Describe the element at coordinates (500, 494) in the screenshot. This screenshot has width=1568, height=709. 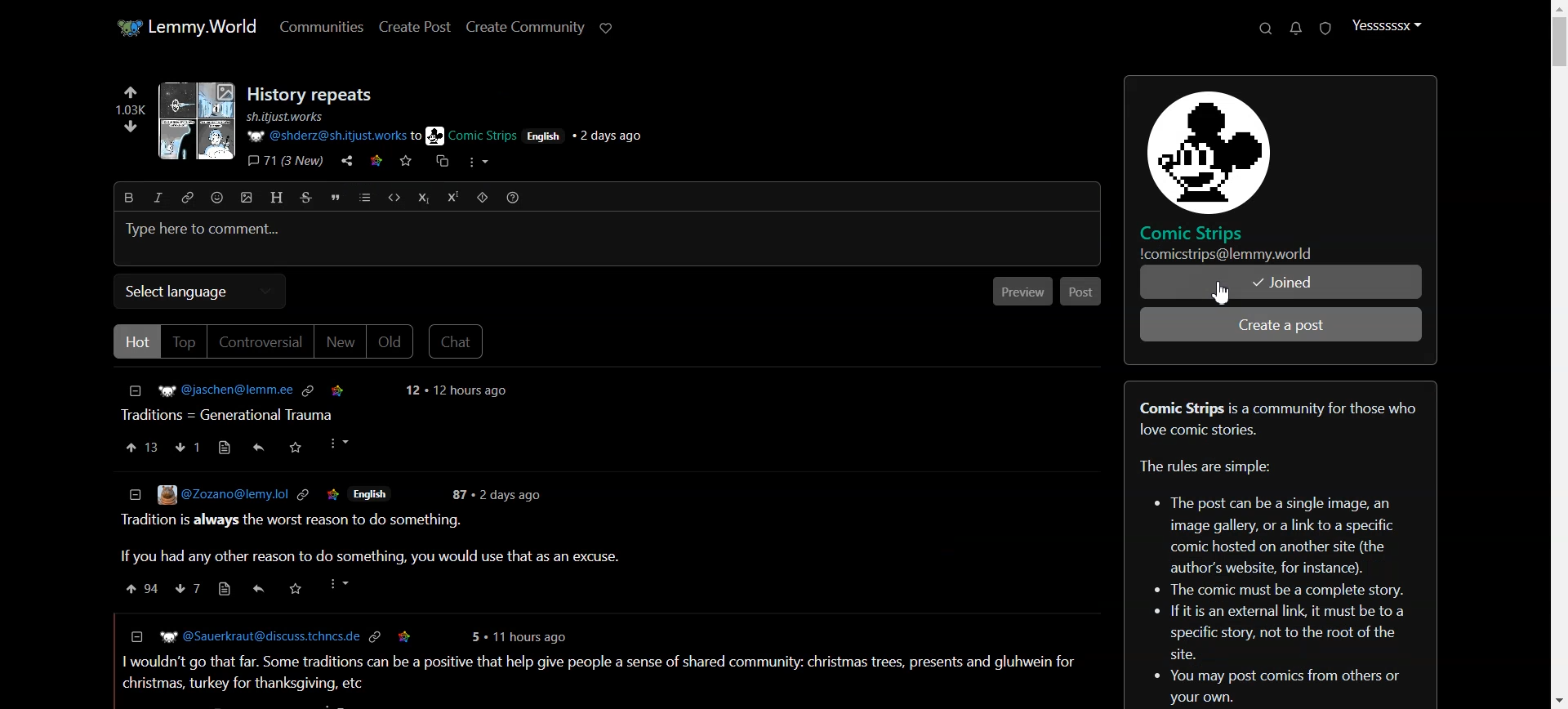
I see `87 . 2 days ago` at that location.